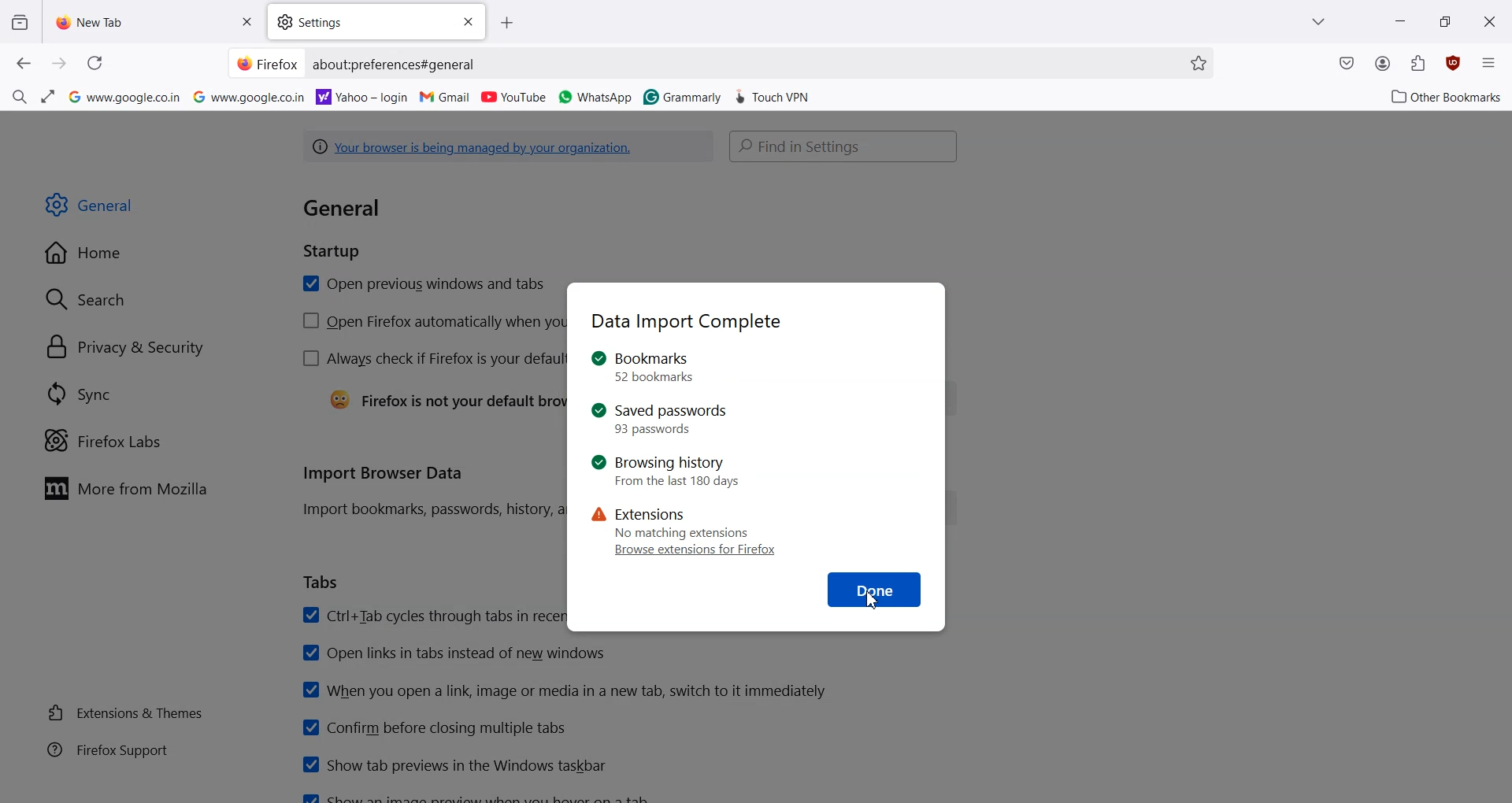 This screenshot has width=1512, height=803. Describe the element at coordinates (1488, 61) in the screenshot. I see `Open application menu` at that location.